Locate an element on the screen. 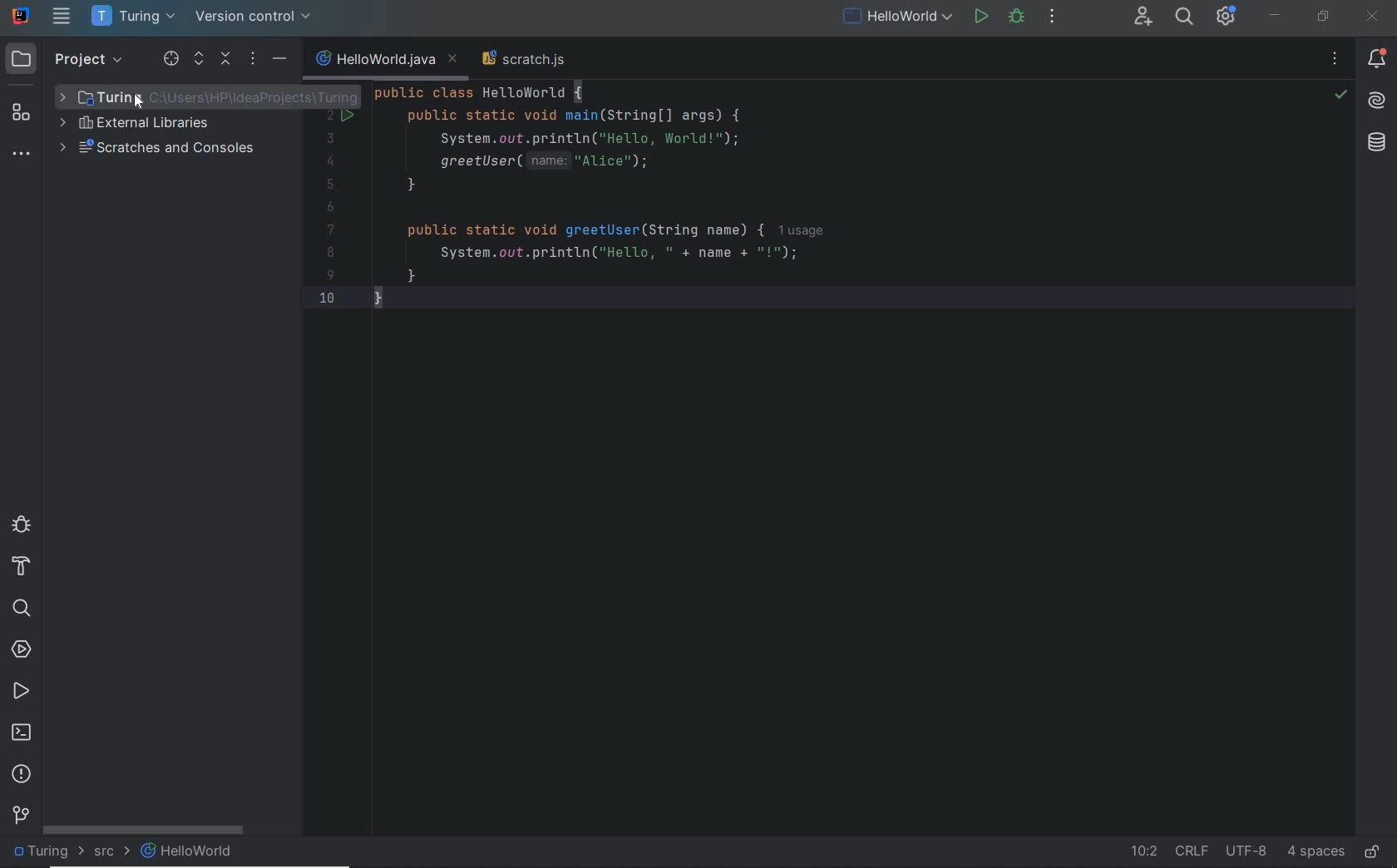 This screenshot has width=1397, height=868. codes is located at coordinates (602, 210).